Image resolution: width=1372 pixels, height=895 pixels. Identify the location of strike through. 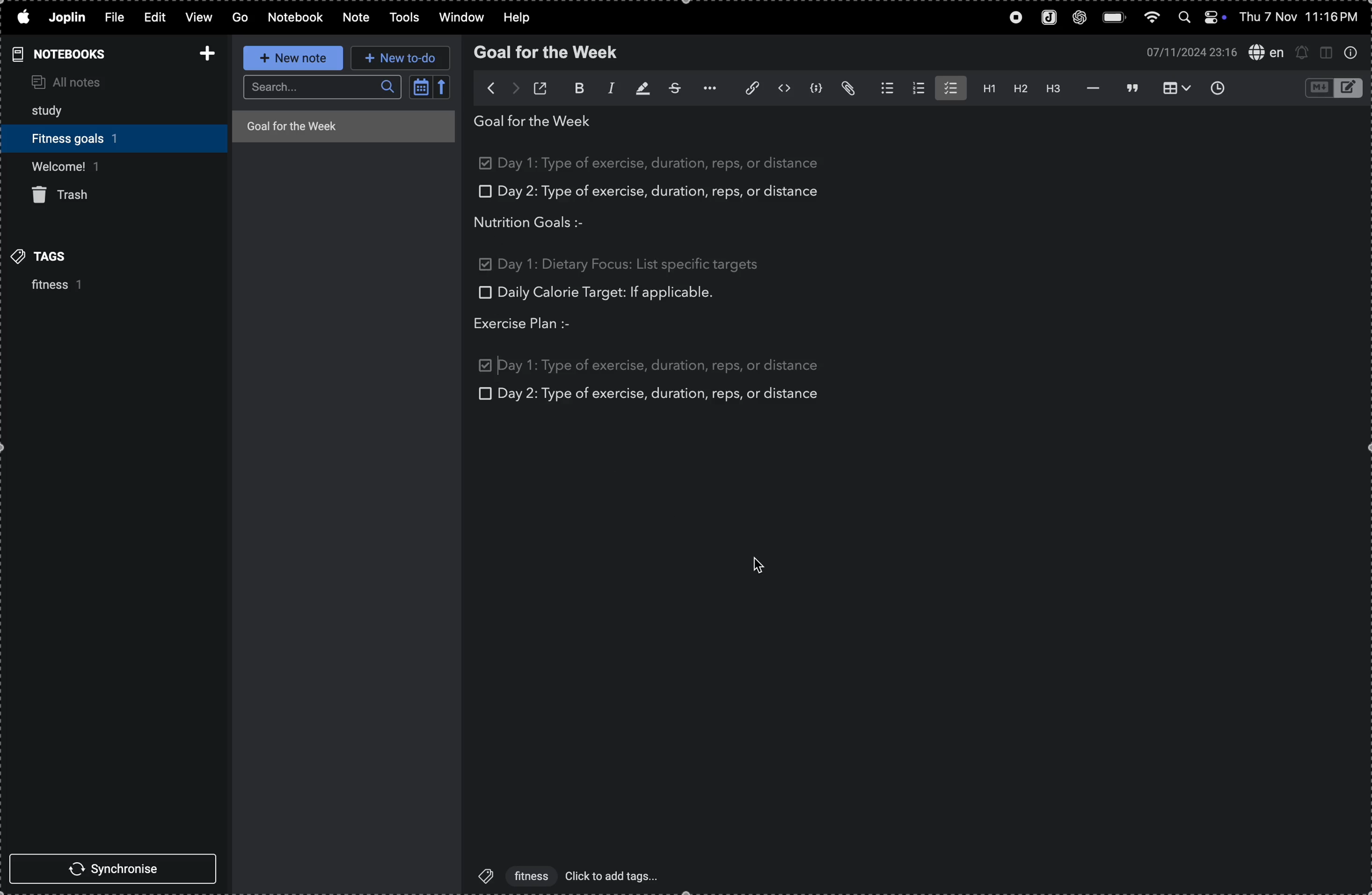
(671, 88).